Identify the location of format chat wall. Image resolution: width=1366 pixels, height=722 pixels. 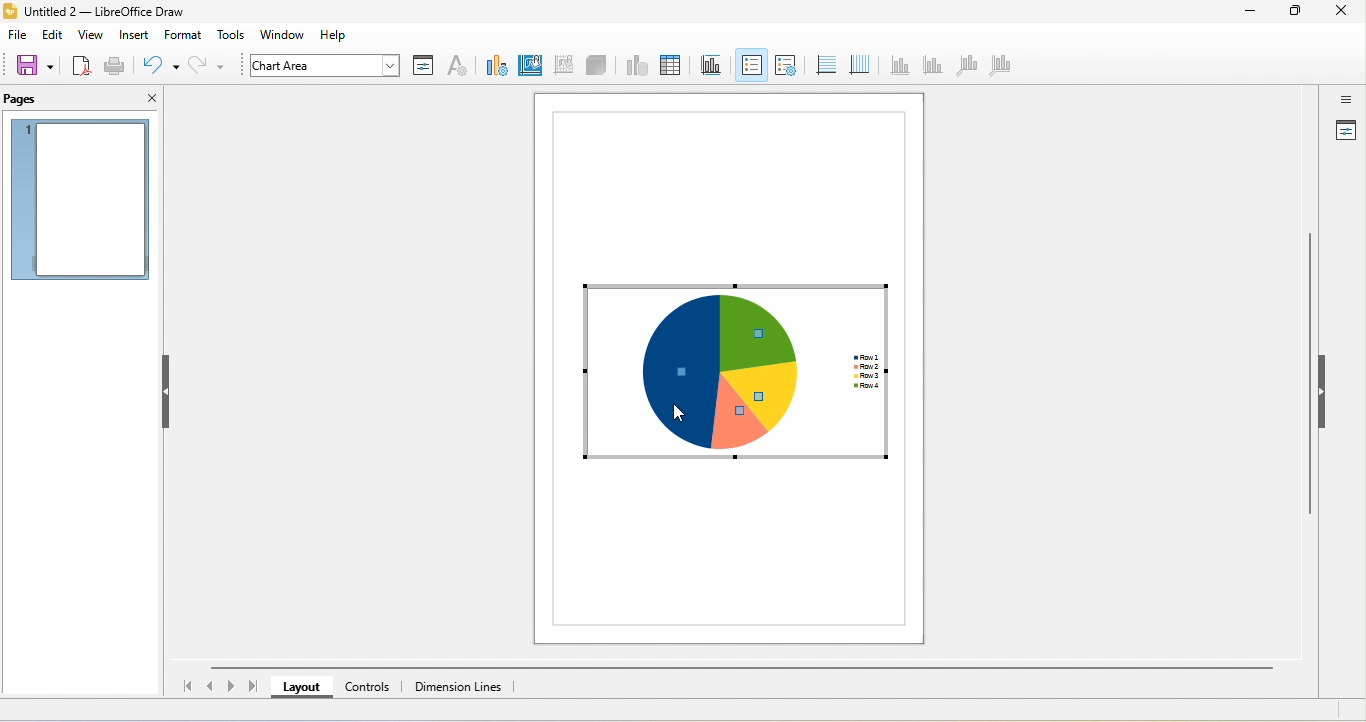
(561, 64).